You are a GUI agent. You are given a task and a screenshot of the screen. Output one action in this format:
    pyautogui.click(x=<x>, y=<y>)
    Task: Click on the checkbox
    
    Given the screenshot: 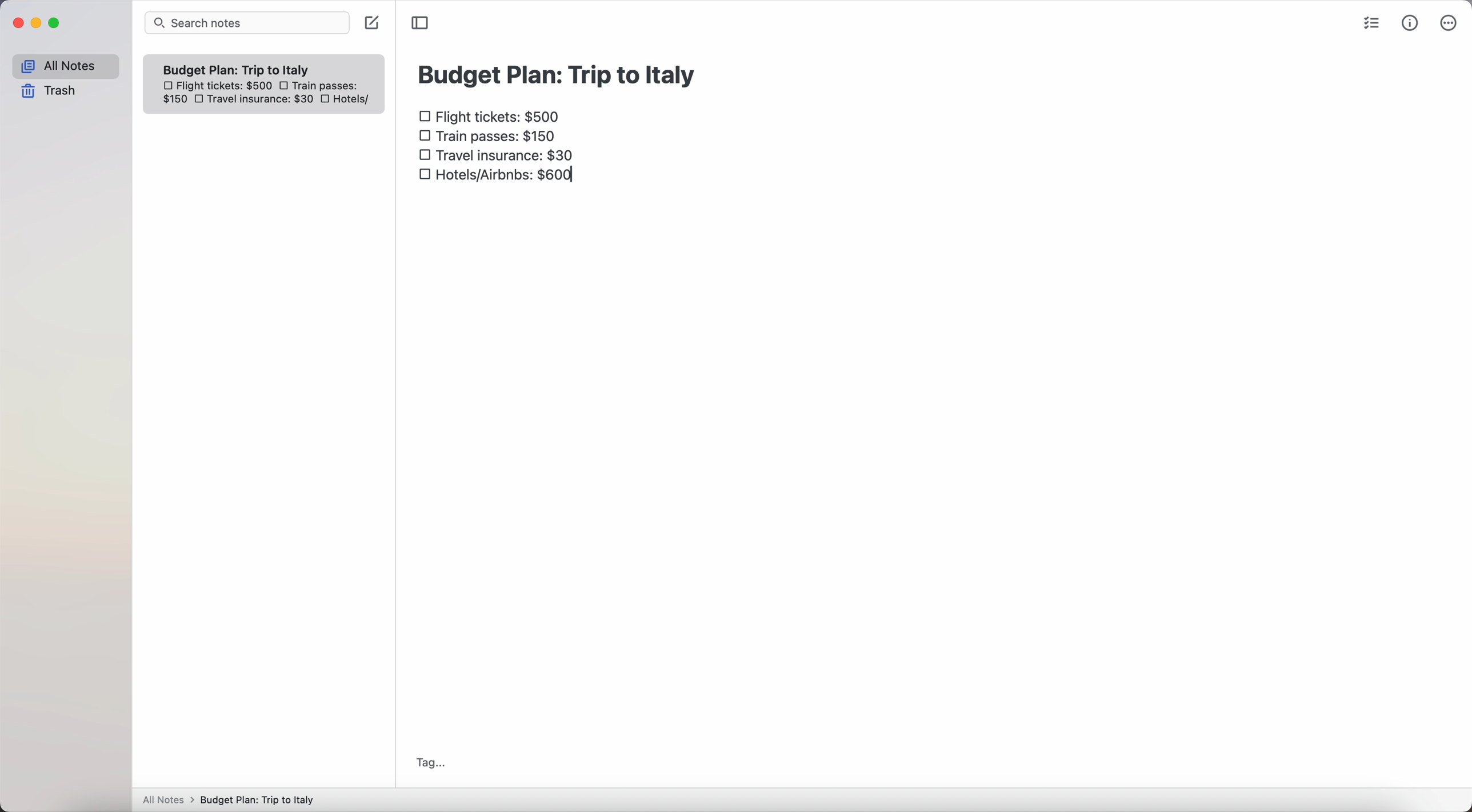 What is the action you would take?
    pyautogui.click(x=286, y=86)
    